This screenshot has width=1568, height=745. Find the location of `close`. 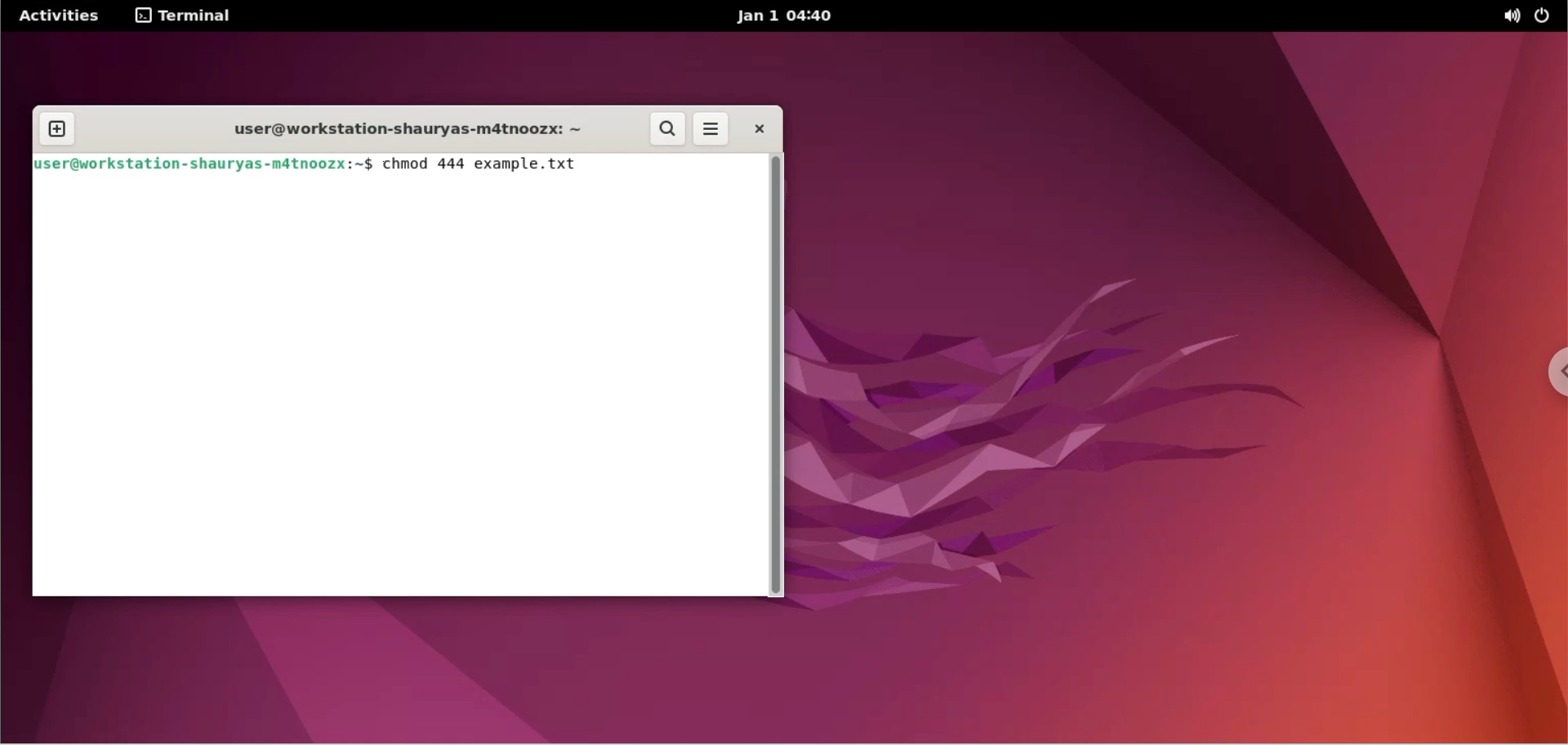

close is located at coordinates (759, 128).